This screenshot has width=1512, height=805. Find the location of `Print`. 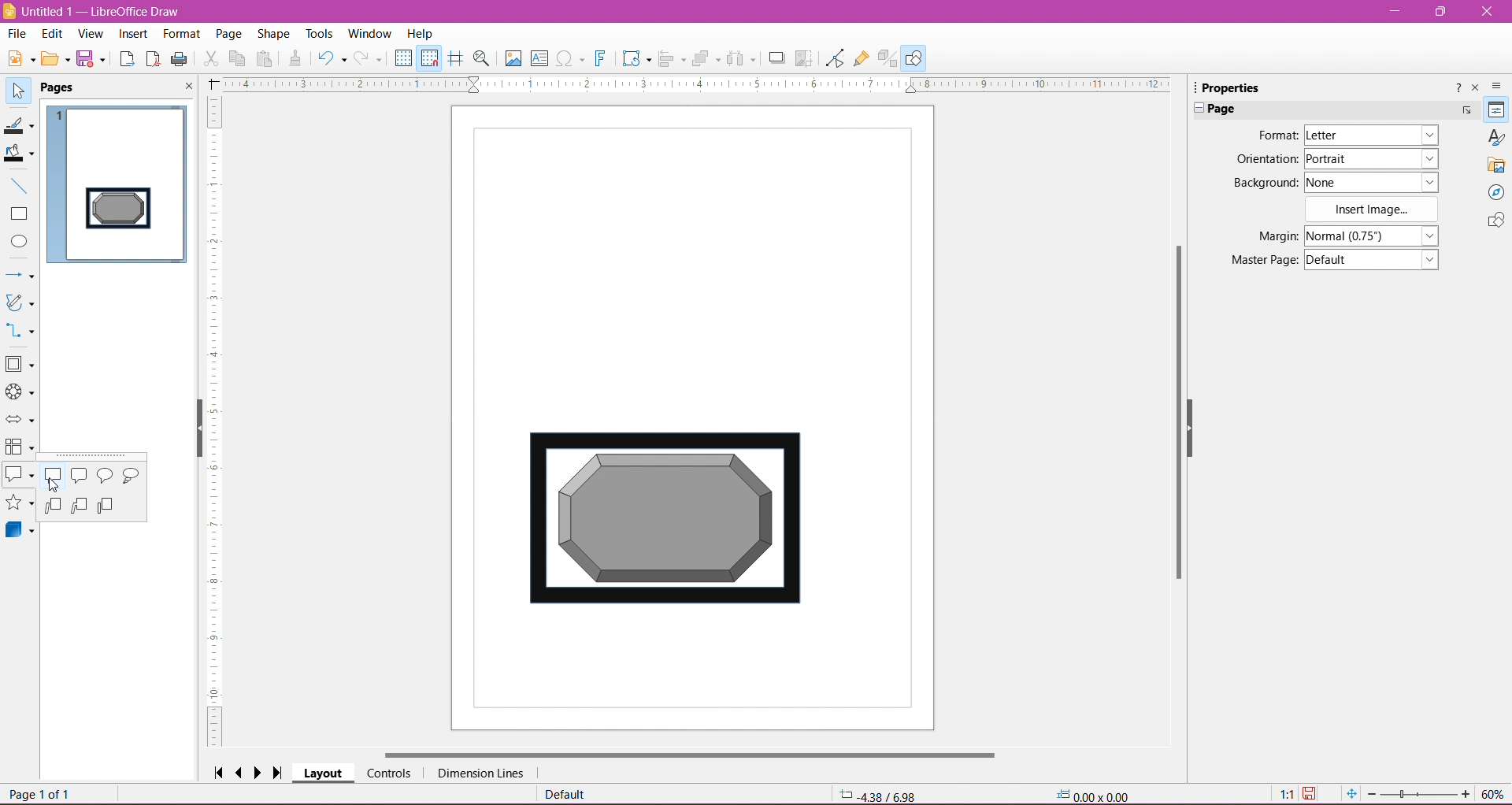

Print is located at coordinates (180, 58).